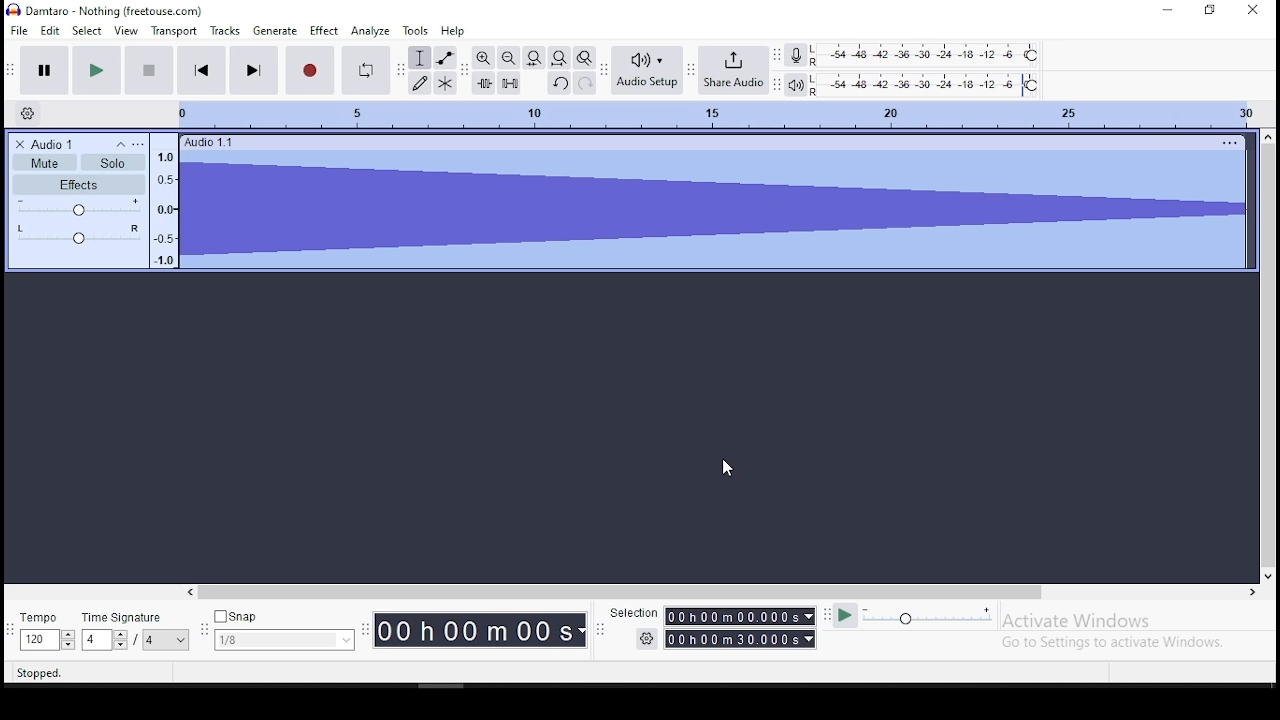 The image size is (1280, 720). I want to click on generate, so click(273, 31).